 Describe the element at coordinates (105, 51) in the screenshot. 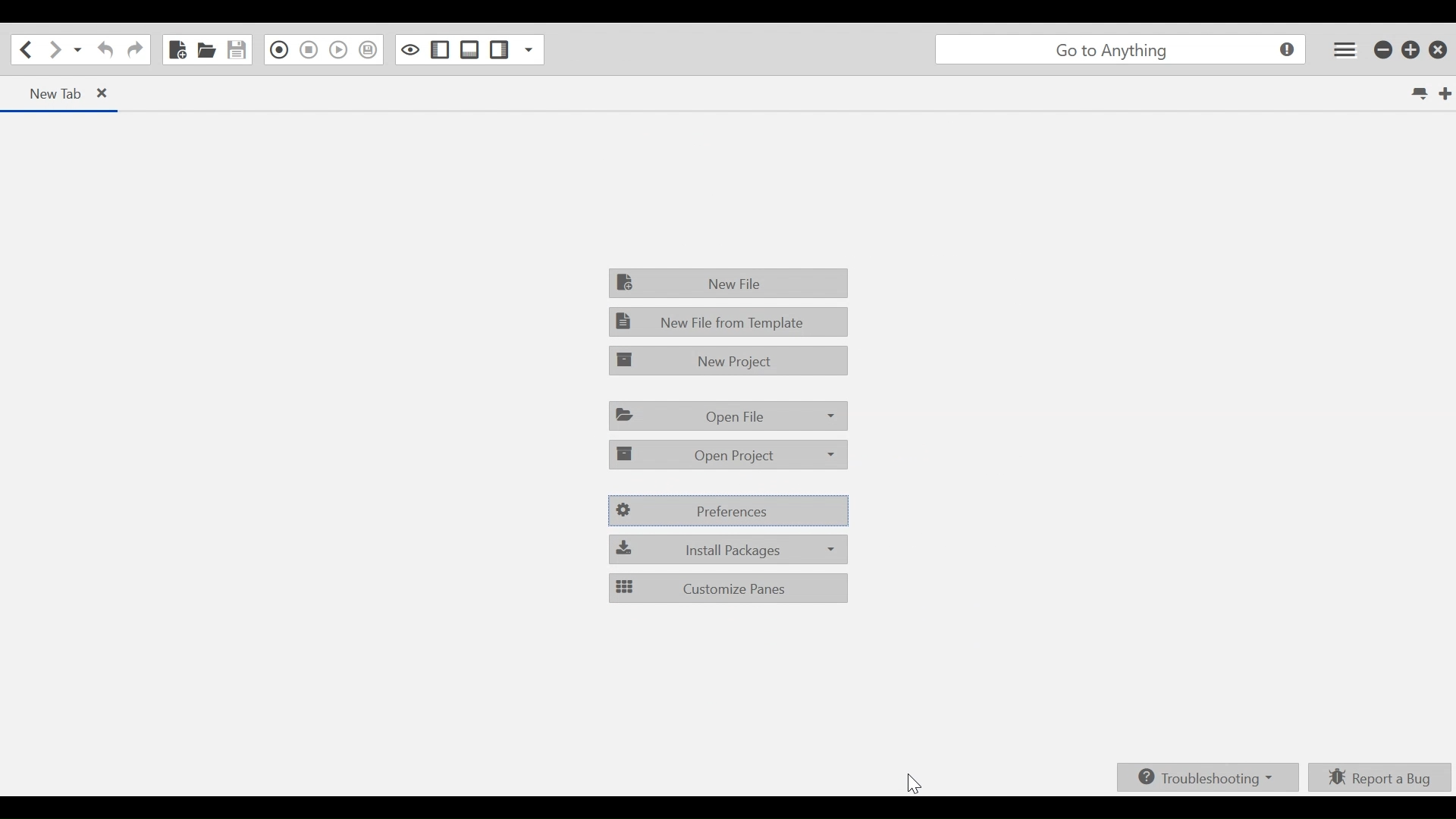

I see `Undo last action` at that location.